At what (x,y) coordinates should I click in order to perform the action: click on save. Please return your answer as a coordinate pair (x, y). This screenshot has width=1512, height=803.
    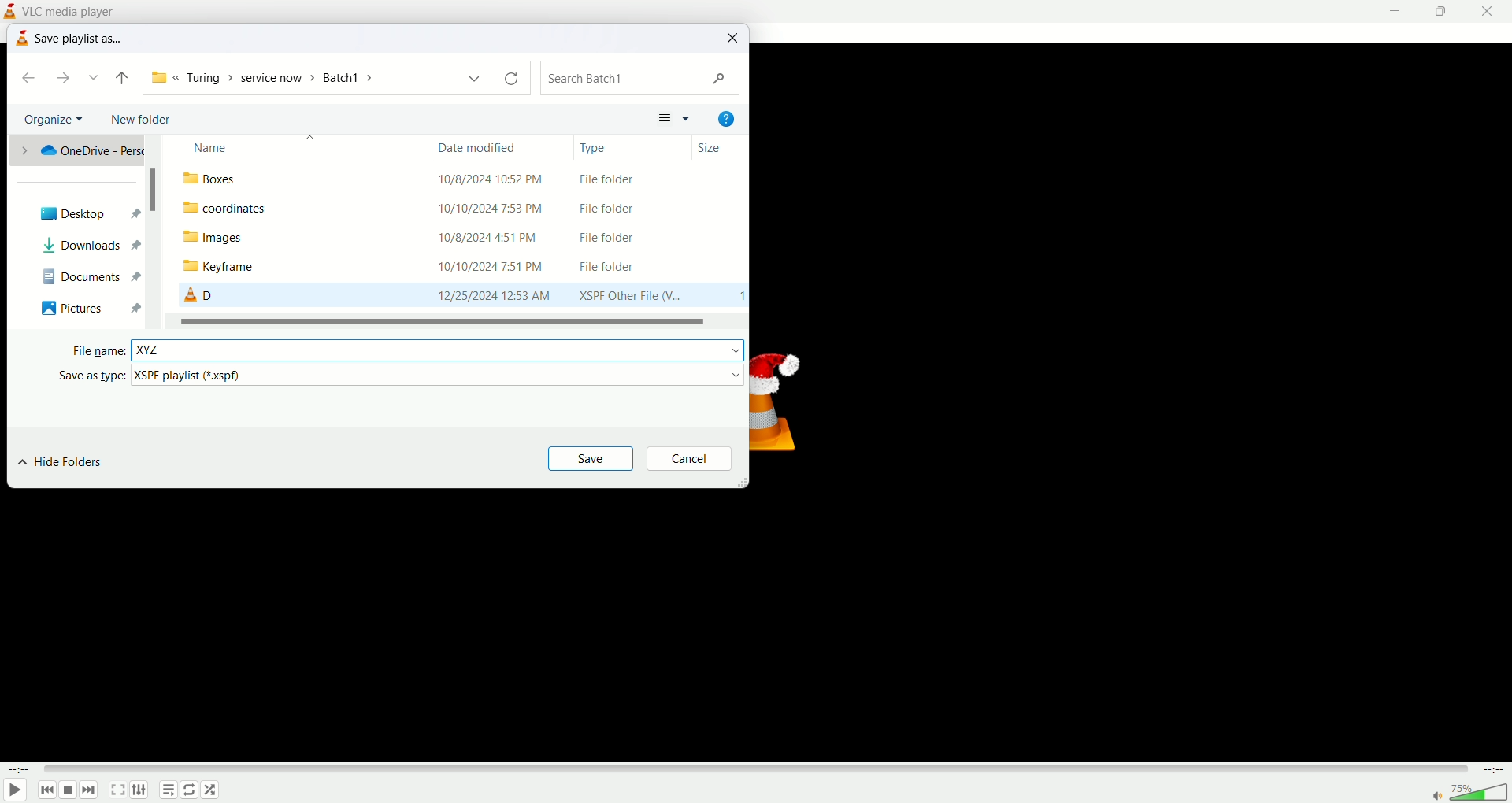
    Looking at the image, I should click on (591, 457).